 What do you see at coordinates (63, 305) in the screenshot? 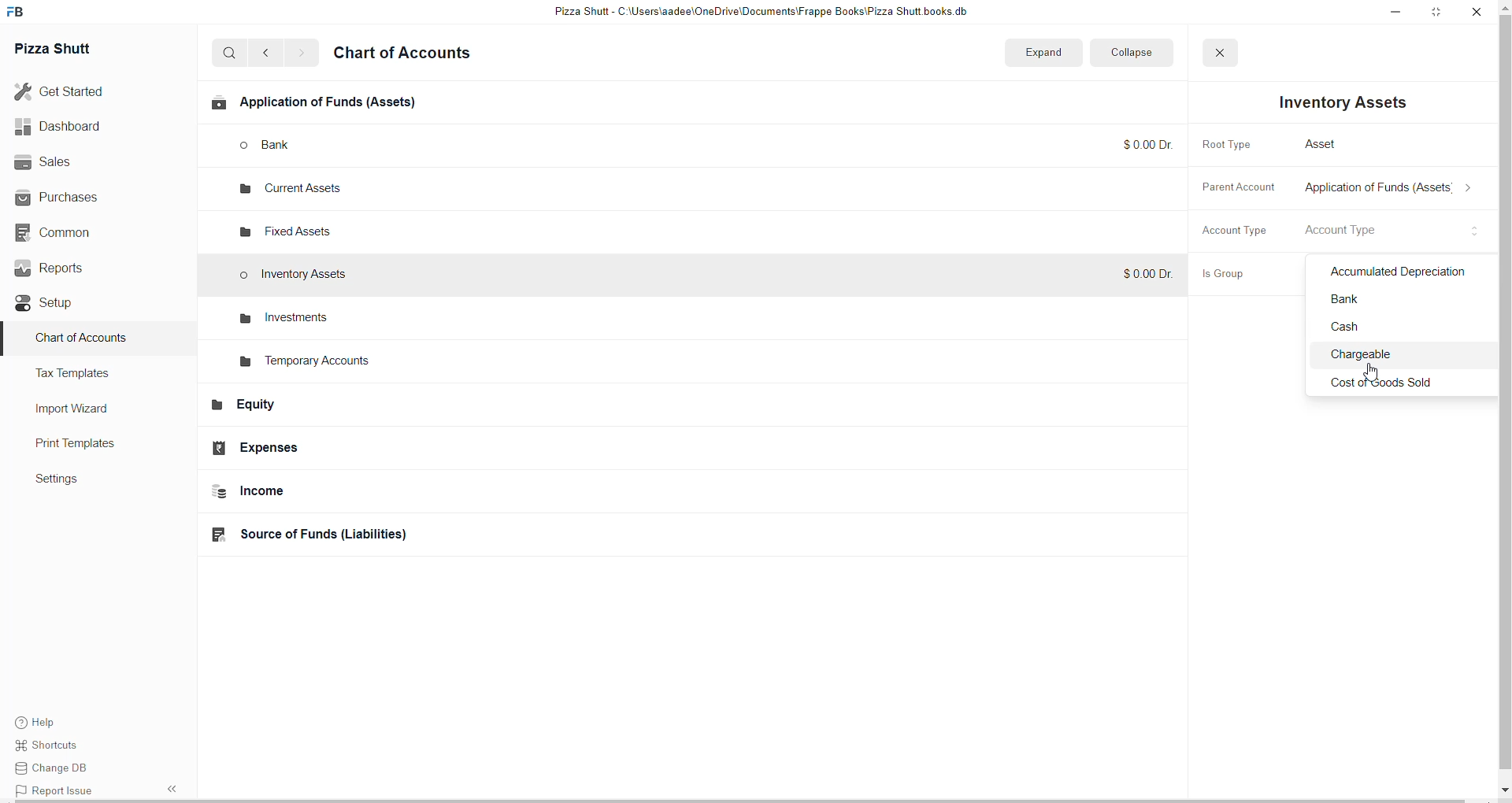
I see `Setup ` at bounding box center [63, 305].